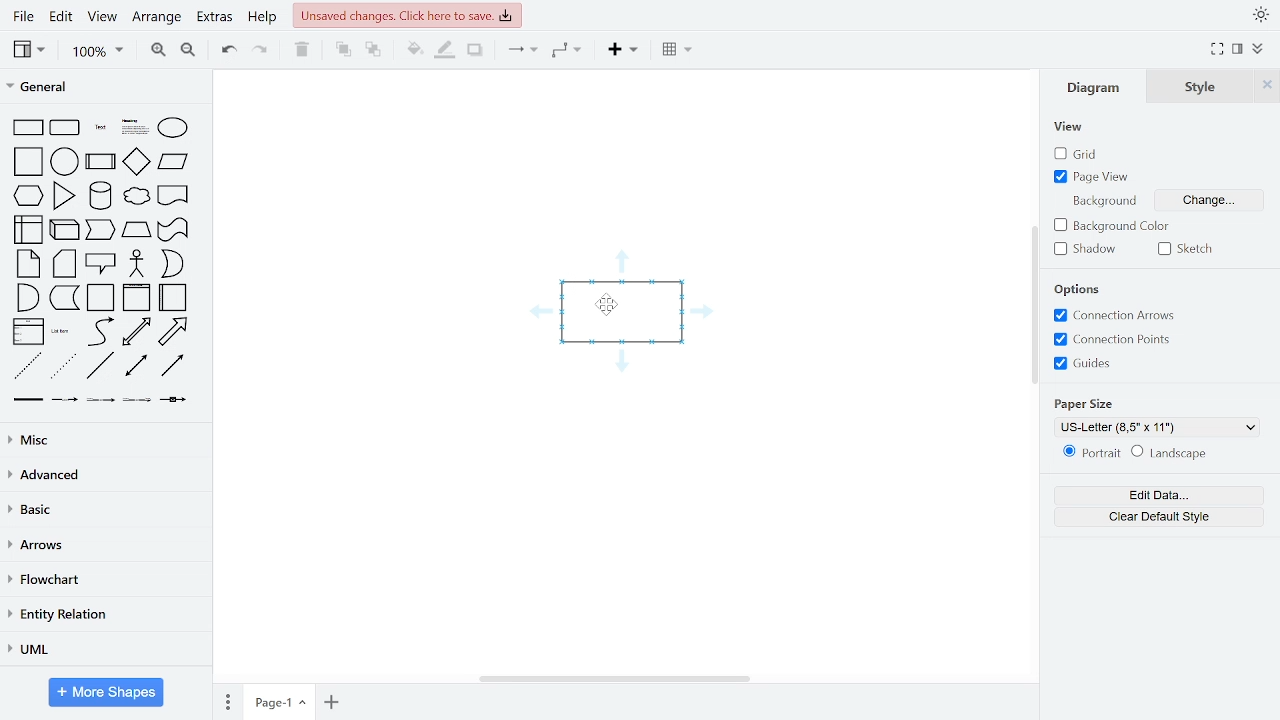 This screenshot has width=1280, height=720. Describe the element at coordinates (100, 332) in the screenshot. I see `curve` at that location.